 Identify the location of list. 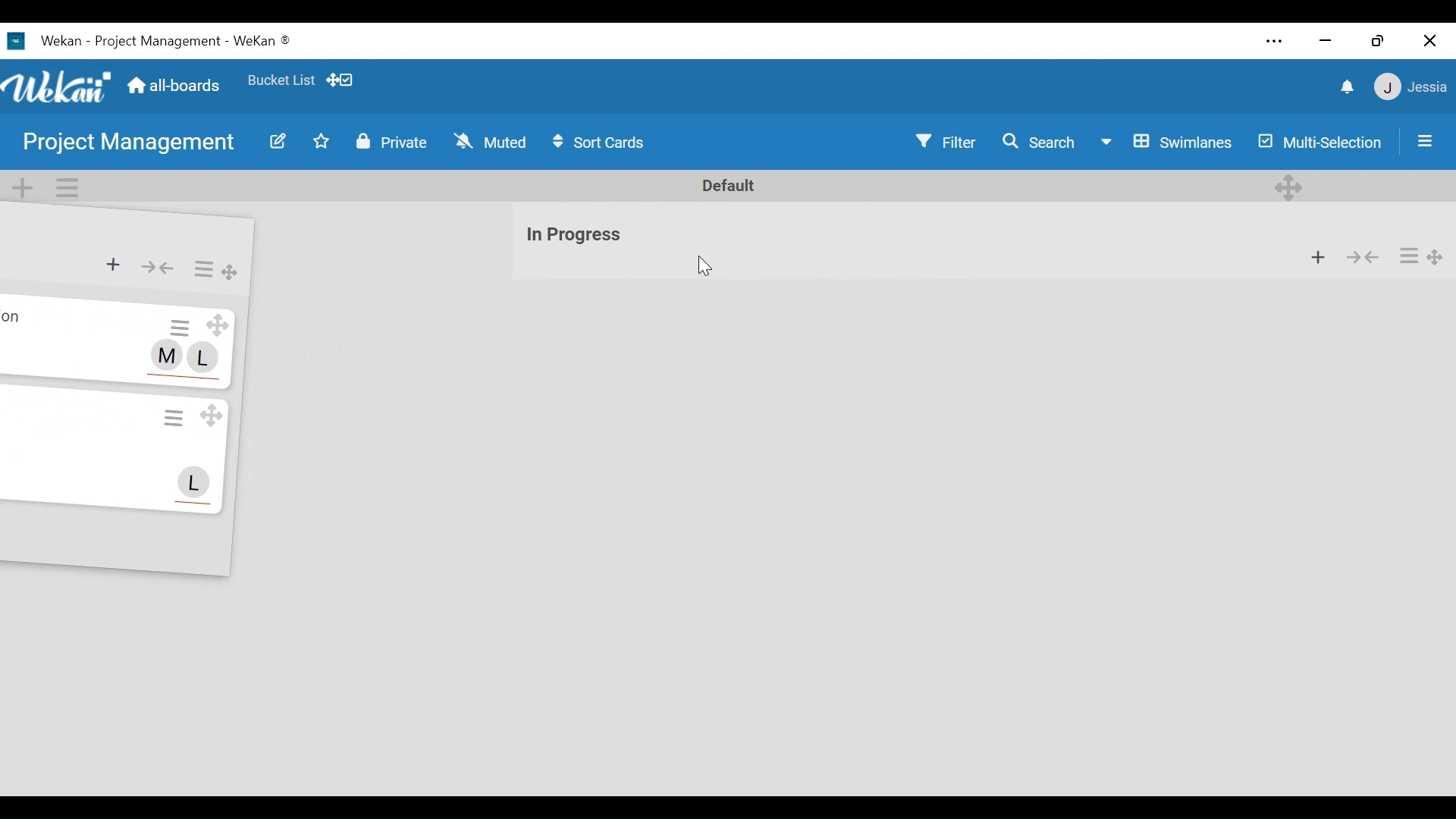
(48, 253).